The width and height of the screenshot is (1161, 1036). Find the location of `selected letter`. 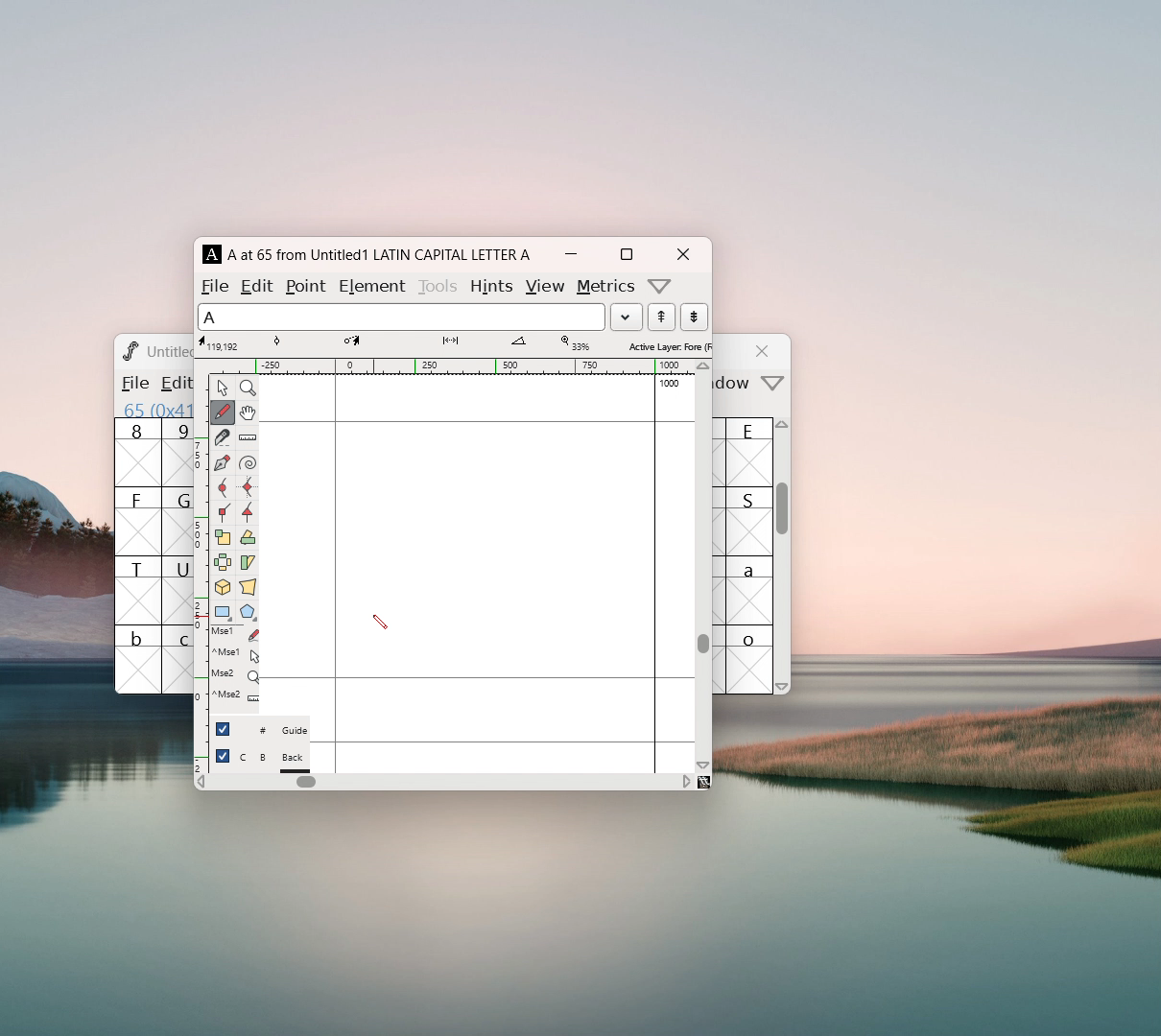

selected letter is located at coordinates (401, 316).